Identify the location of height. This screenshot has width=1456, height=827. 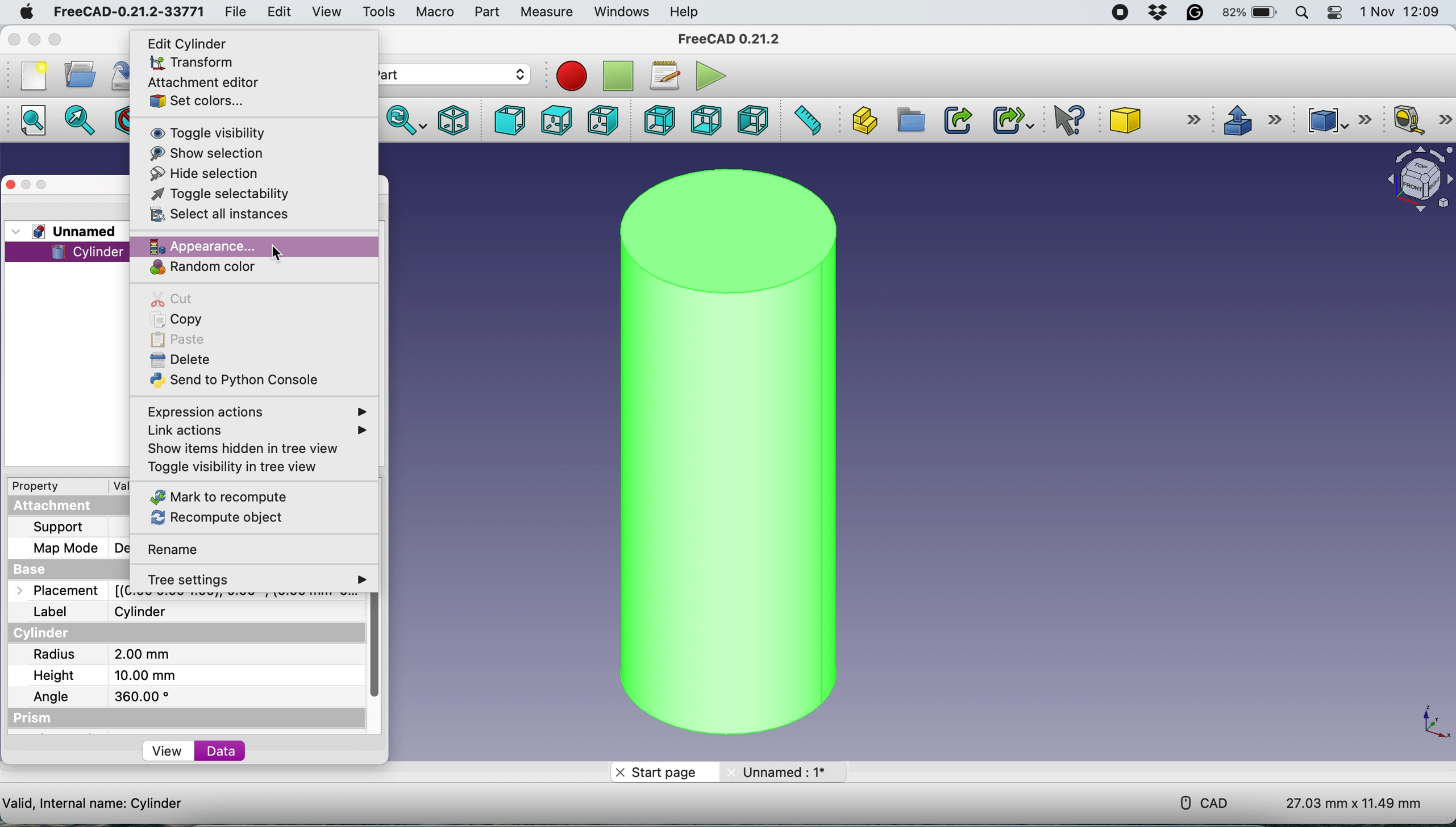
(102, 678).